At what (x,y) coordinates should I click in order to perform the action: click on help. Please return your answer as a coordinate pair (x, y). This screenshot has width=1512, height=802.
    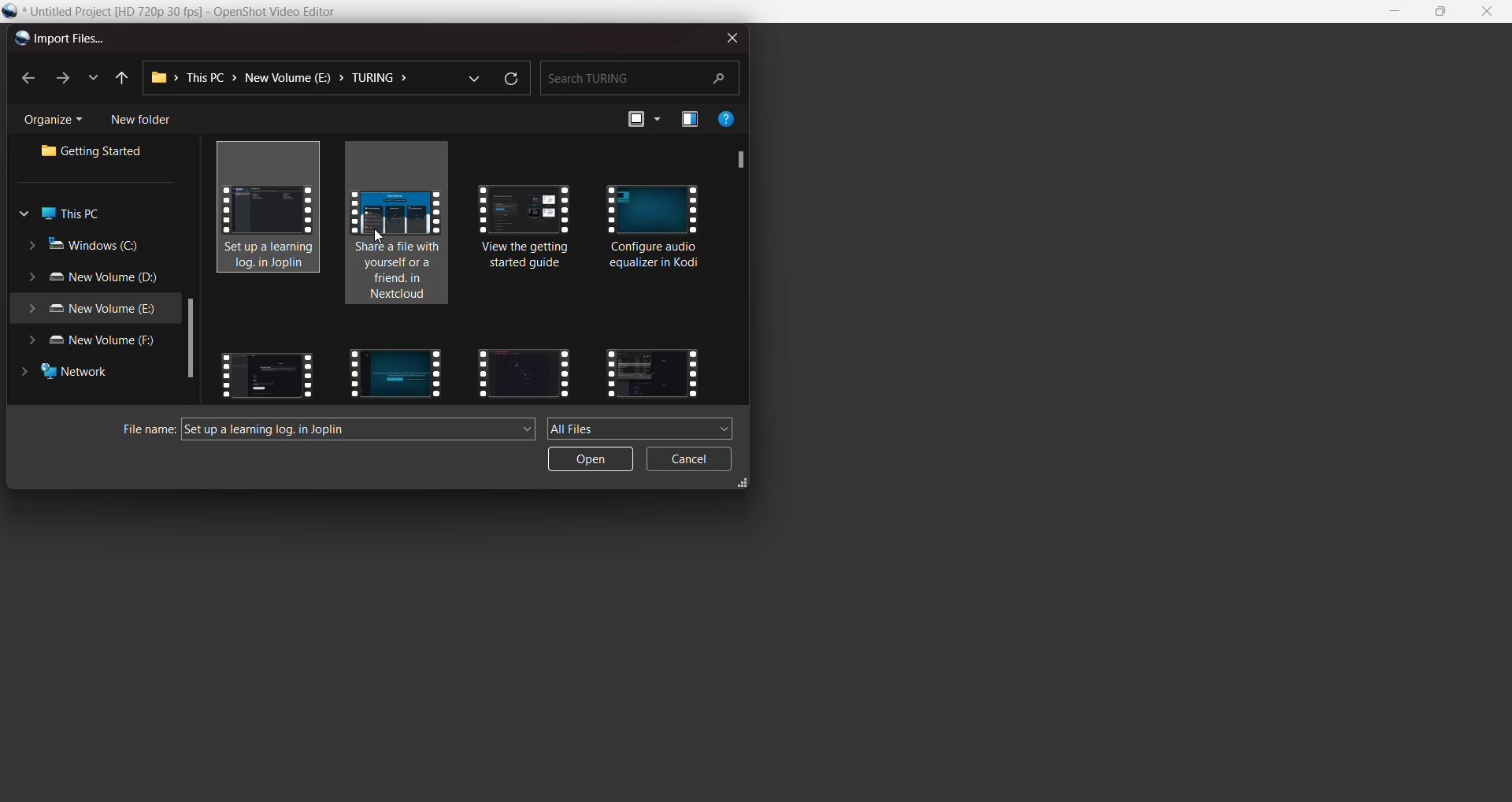
    Looking at the image, I should click on (727, 118).